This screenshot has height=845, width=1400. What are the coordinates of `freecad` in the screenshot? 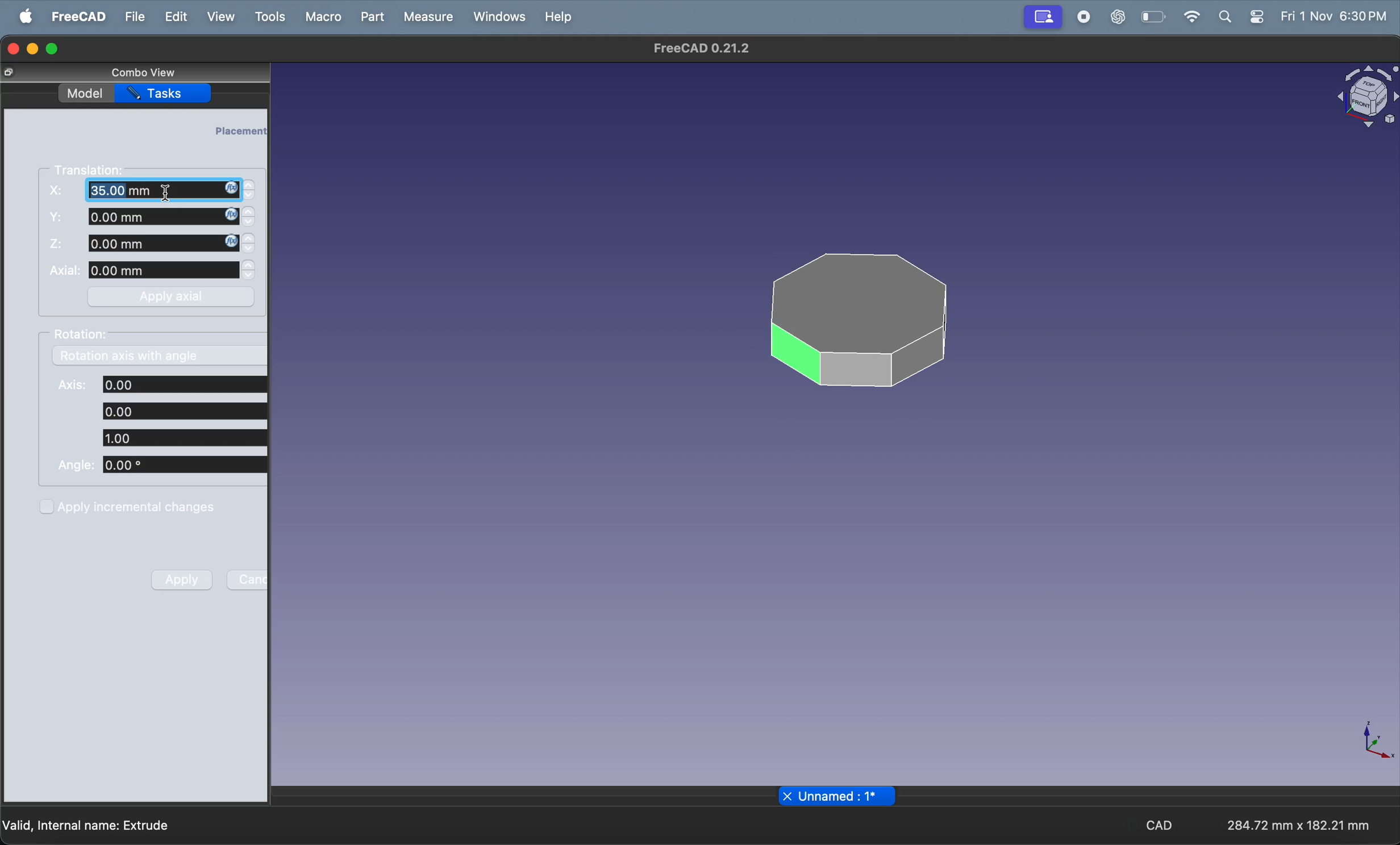 It's located at (77, 16).